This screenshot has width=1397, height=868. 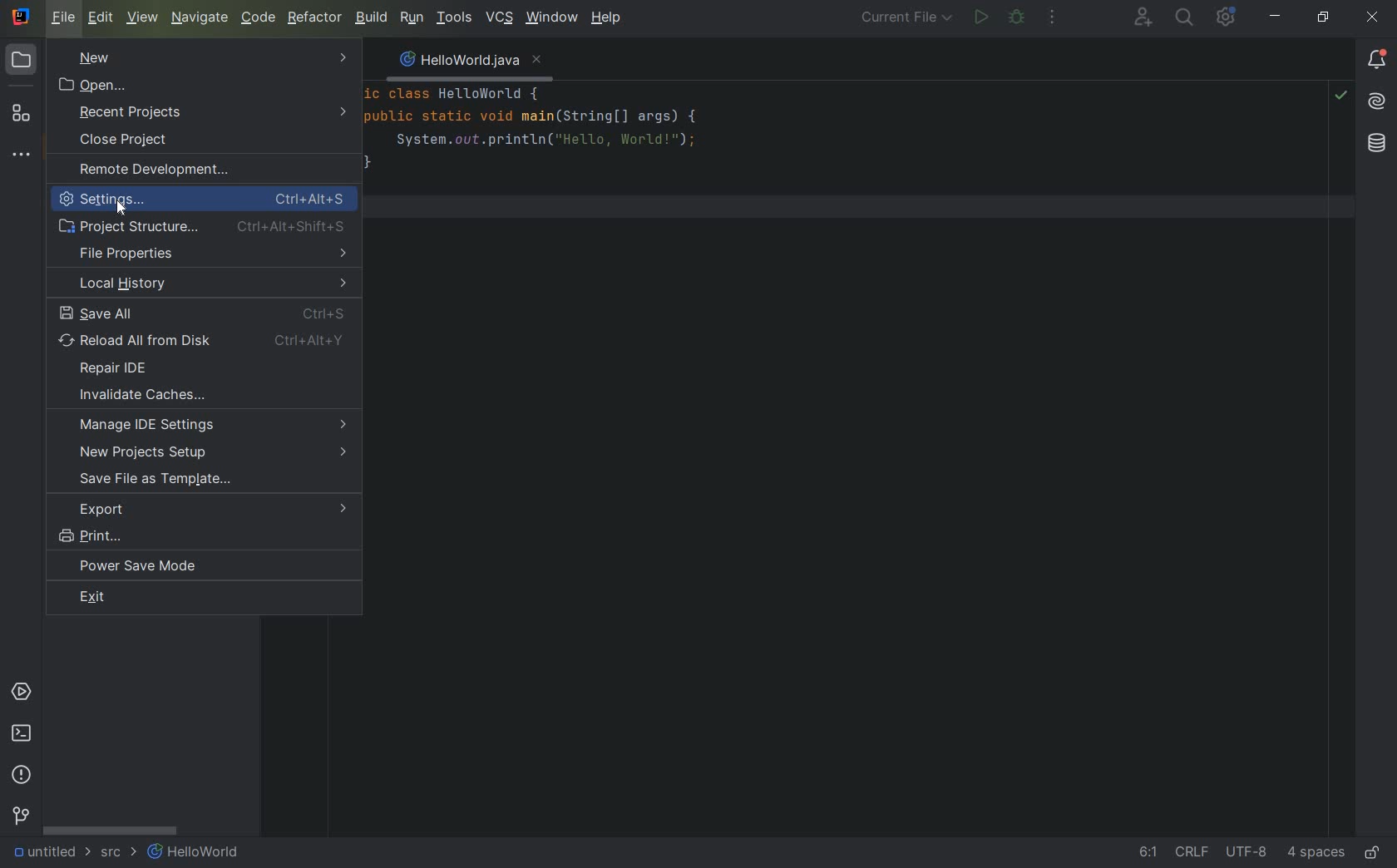 What do you see at coordinates (370, 17) in the screenshot?
I see `BUILD` at bounding box center [370, 17].